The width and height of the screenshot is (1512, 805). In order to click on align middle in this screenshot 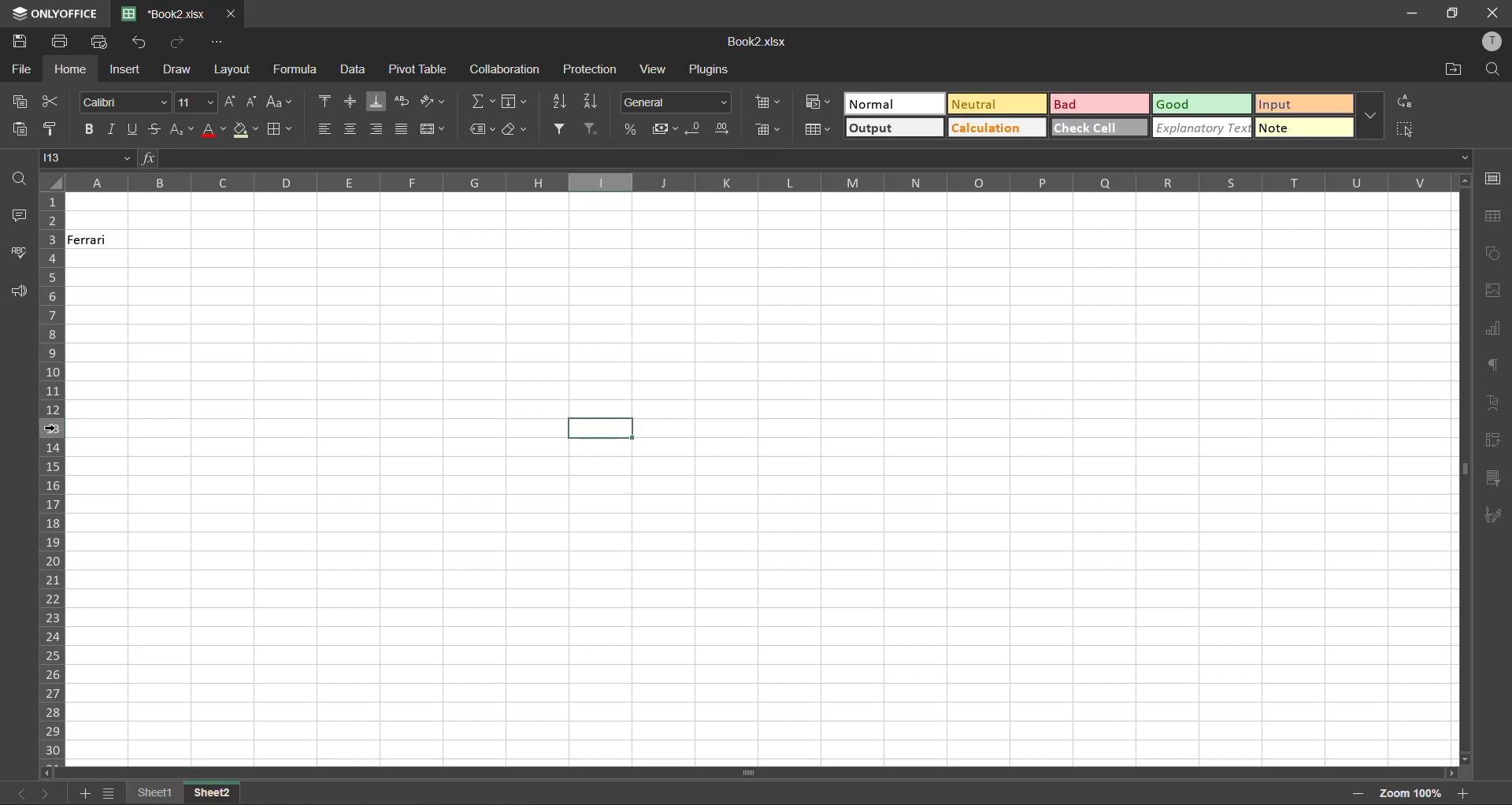, I will do `click(349, 100)`.